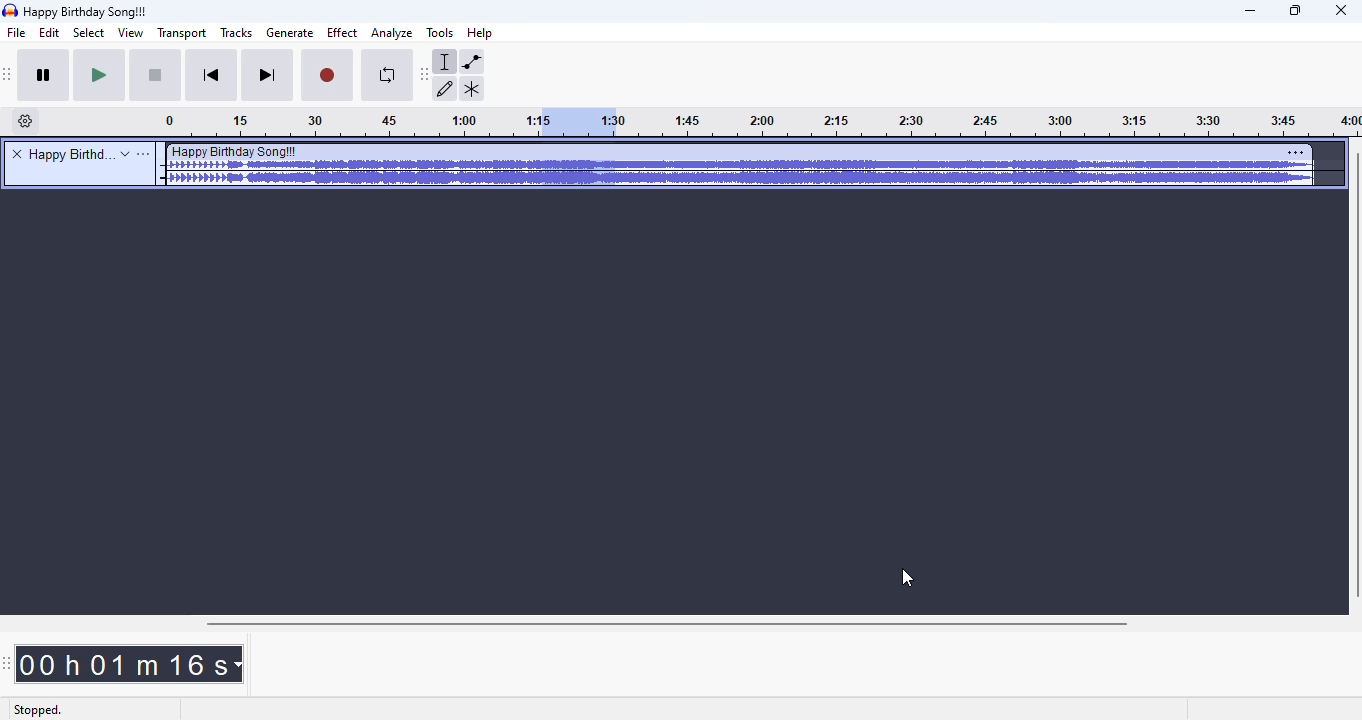 This screenshot has width=1362, height=720. What do you see at coordinates (1353, 376) in the screenshot?
I see `vertical scroll bar` at bounding box center [1353, 376].